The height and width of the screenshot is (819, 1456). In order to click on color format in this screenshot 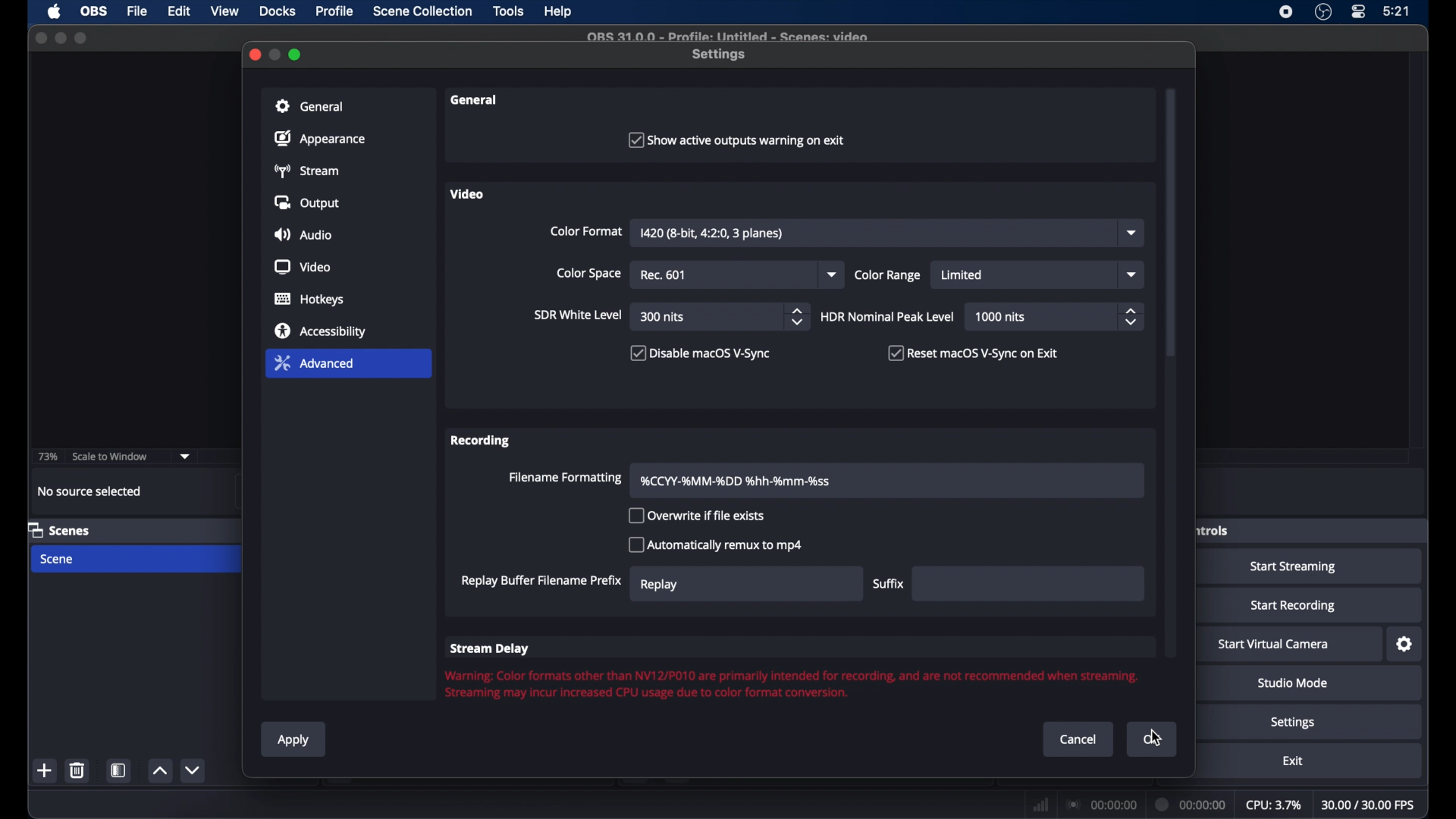, I will do `click(711, 233)`.